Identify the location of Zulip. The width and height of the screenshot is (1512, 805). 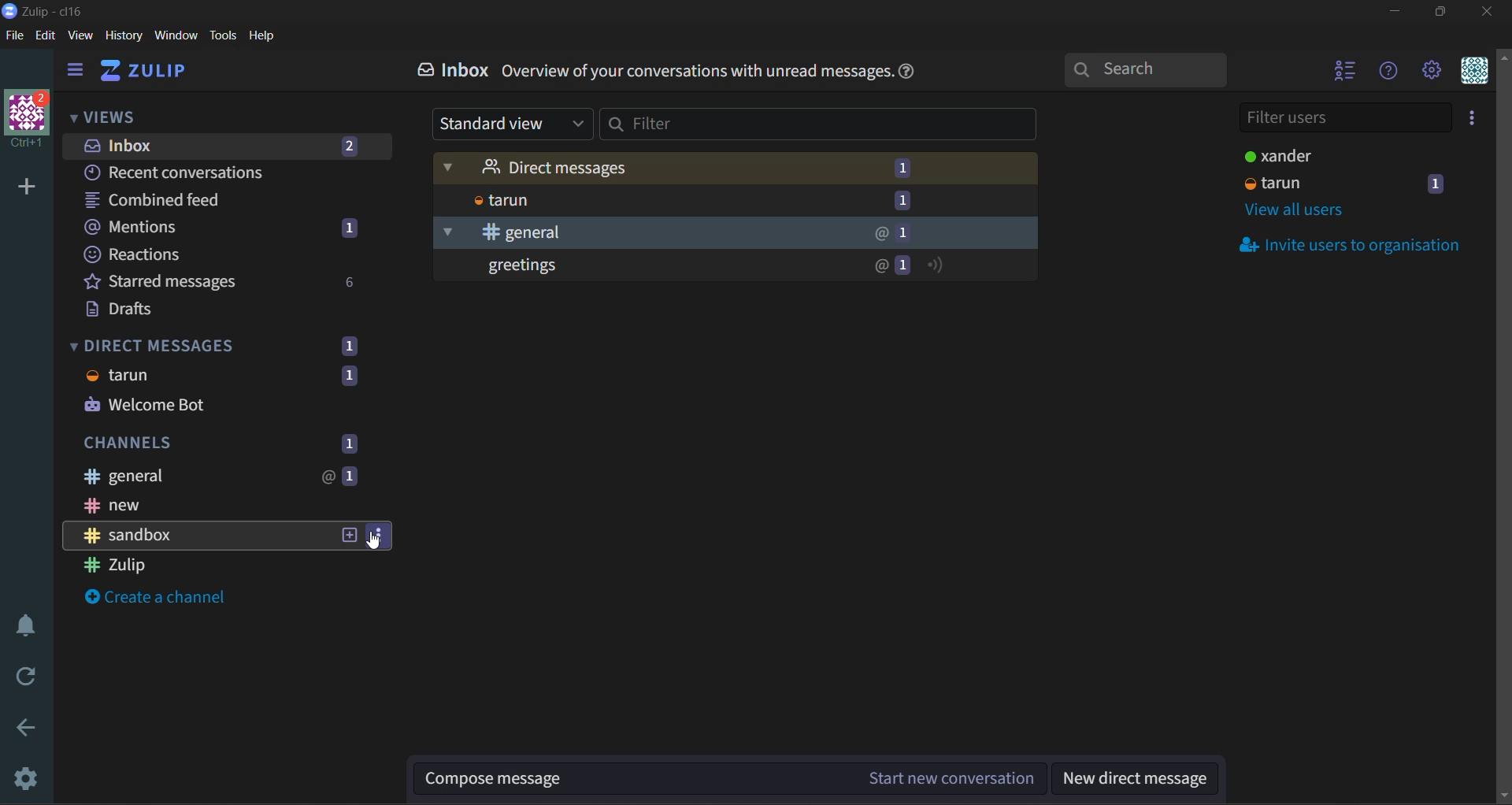
(180, 565).